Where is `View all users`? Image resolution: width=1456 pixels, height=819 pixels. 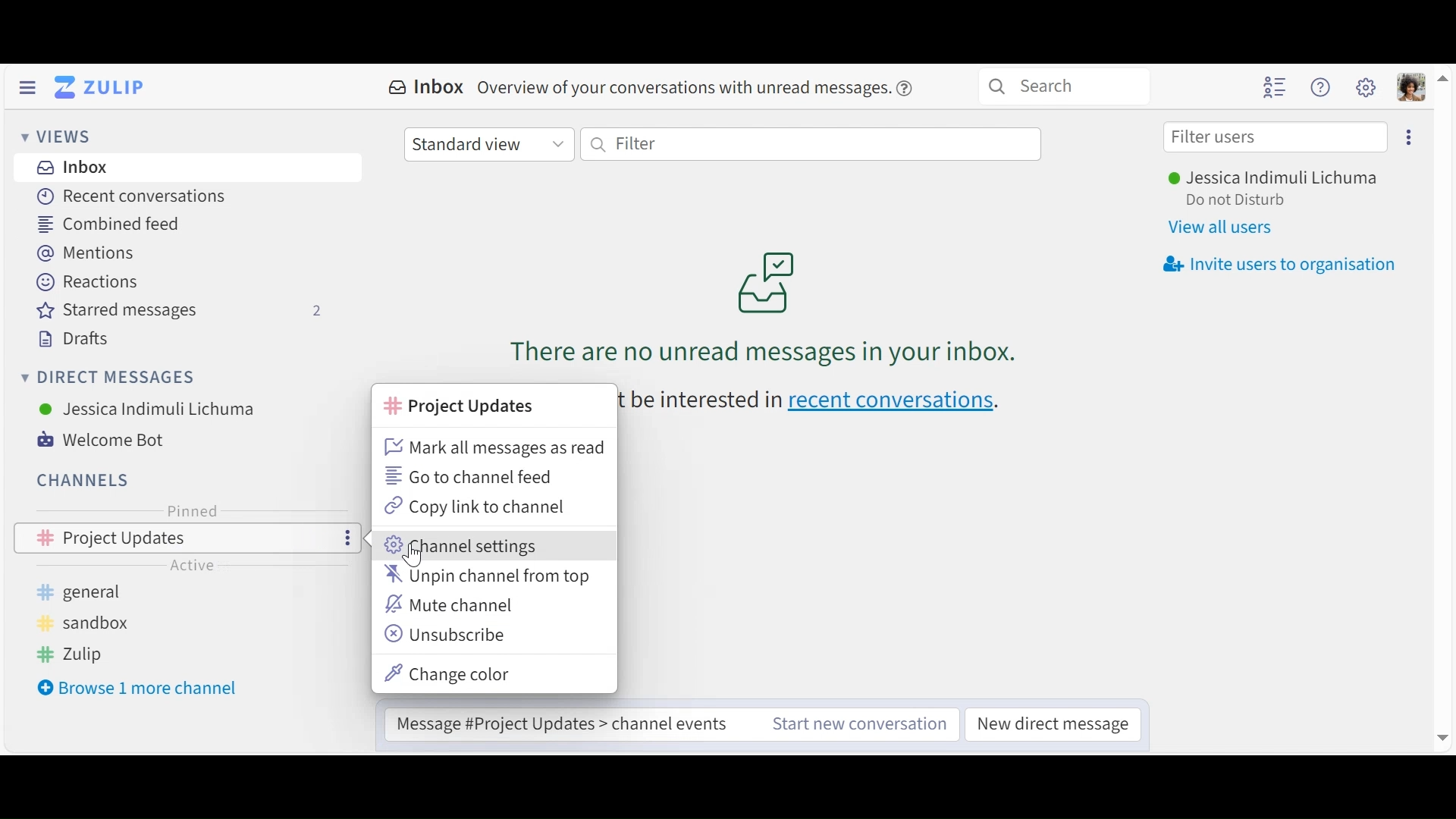 View all users is located at coordinates (1223, 227).